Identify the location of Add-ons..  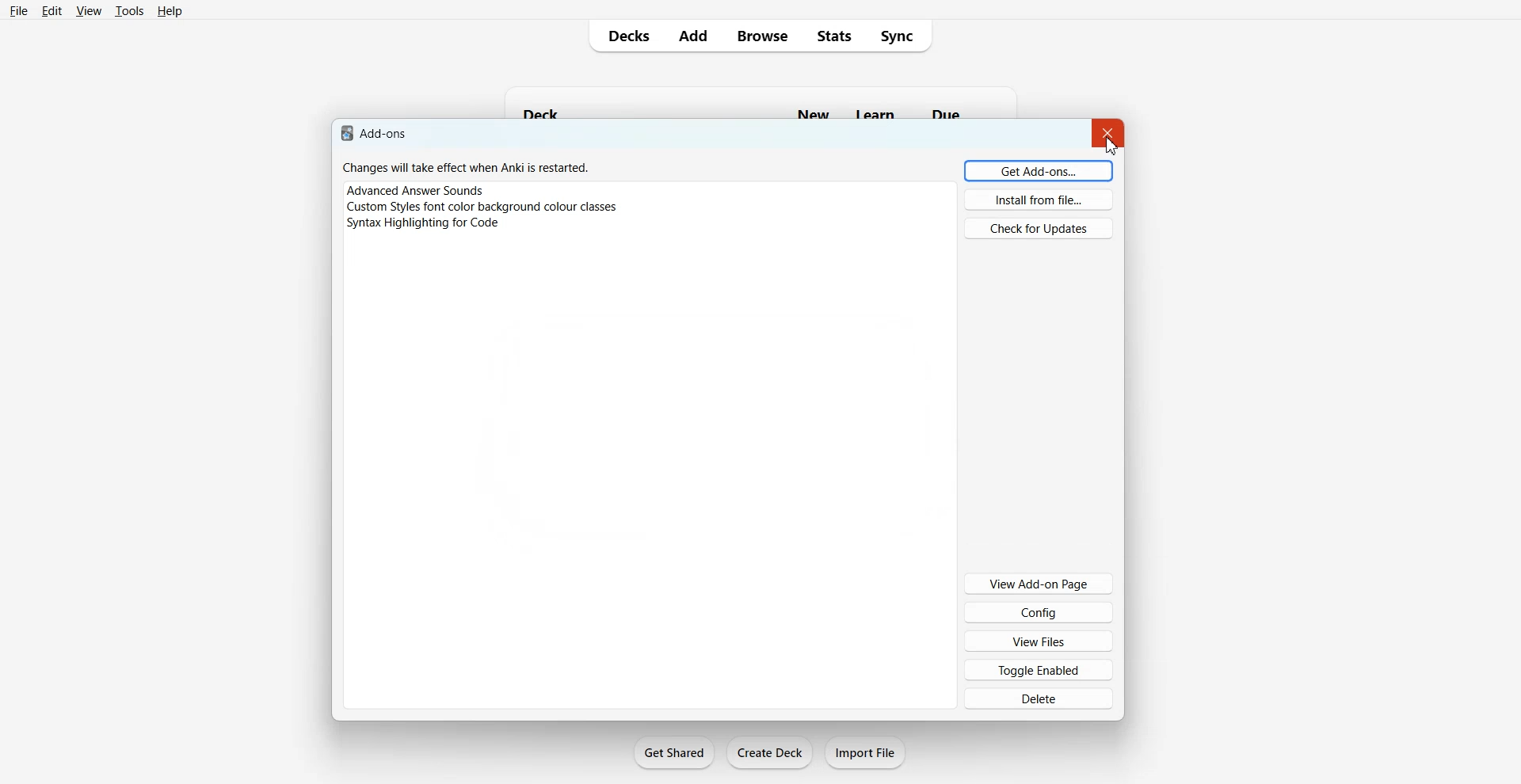
(377, 133).